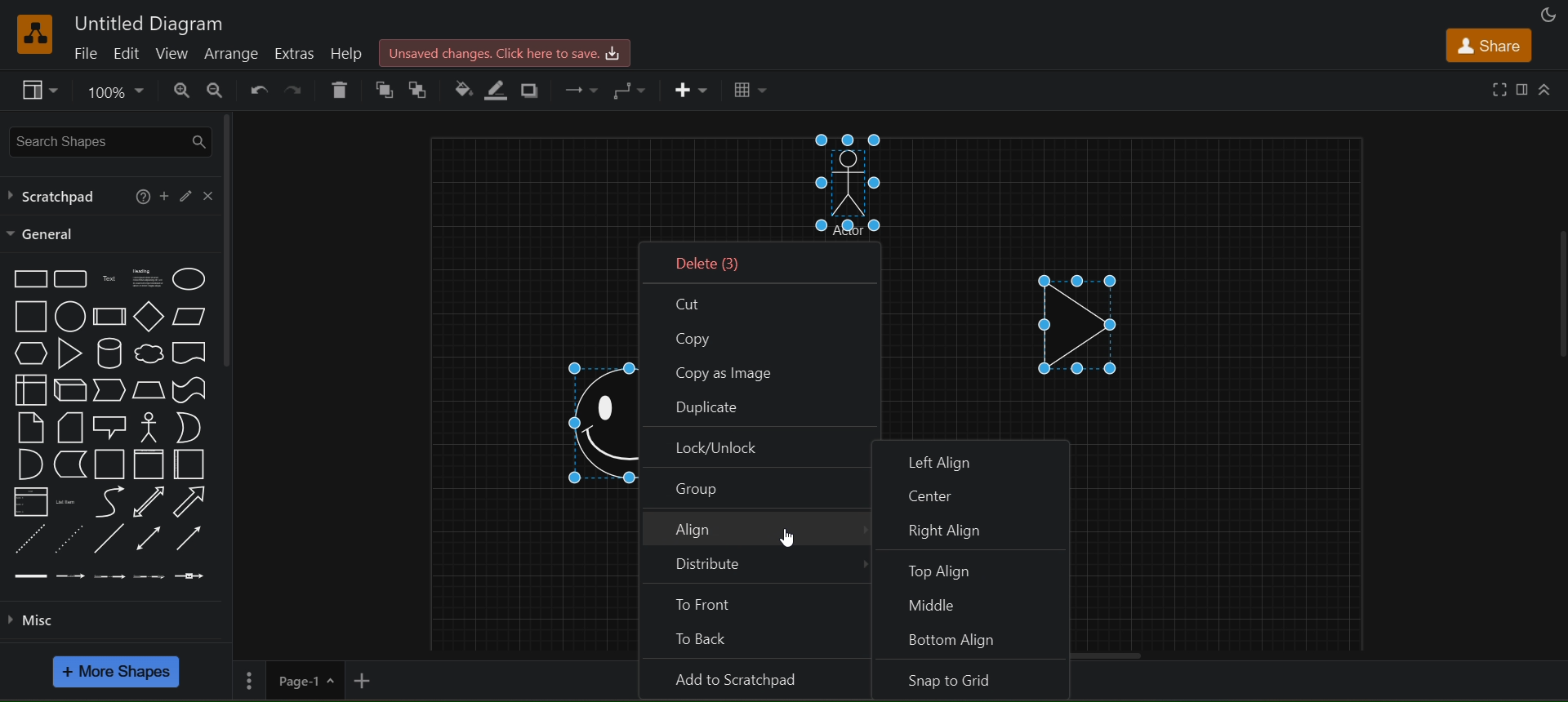 This screenshot has width=1568, height=702. I want to click on file, so click(84, 53).